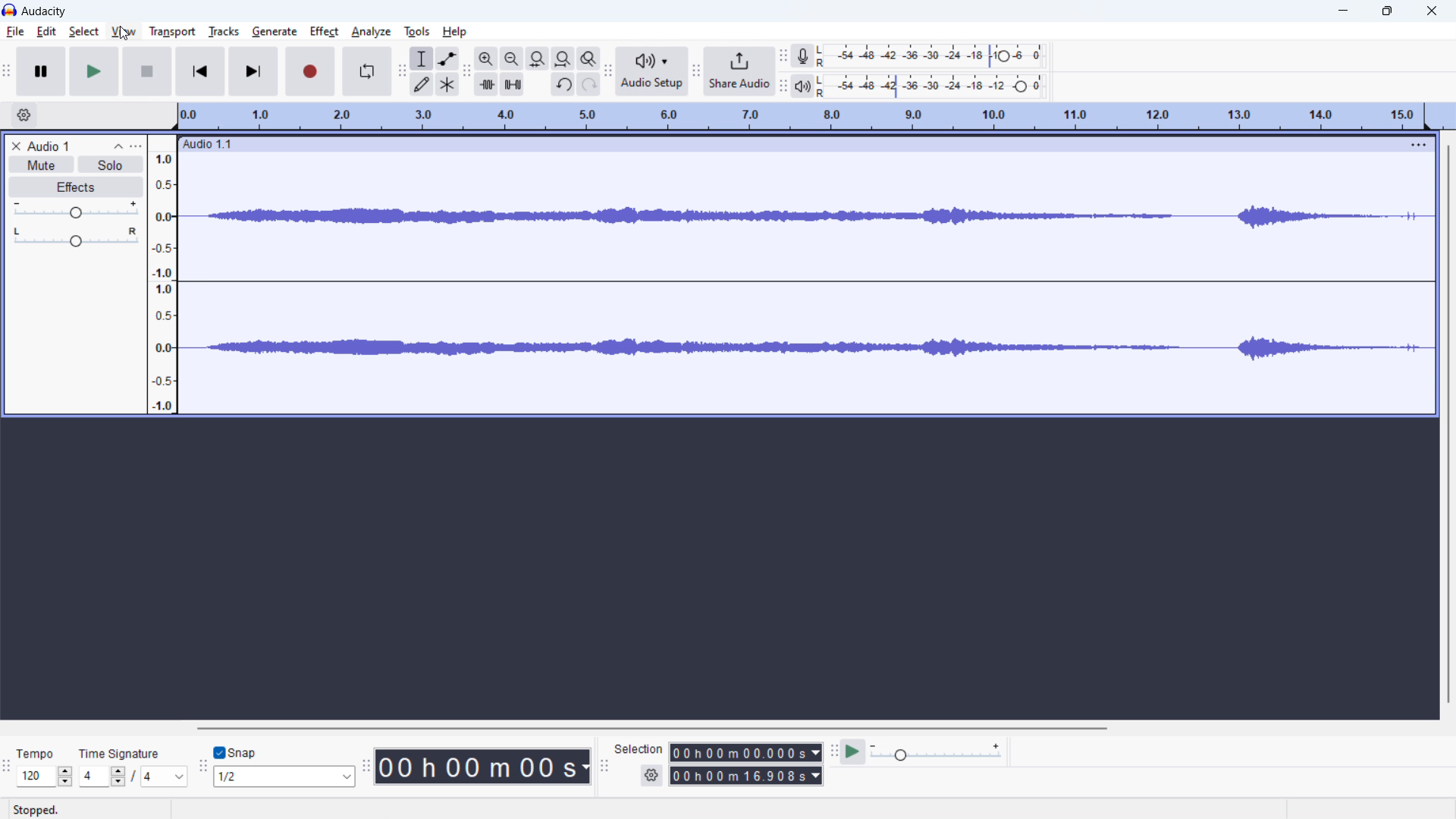  Describe the element at coordinates (275, 31) in the screenshot. I see `generate` at that location.